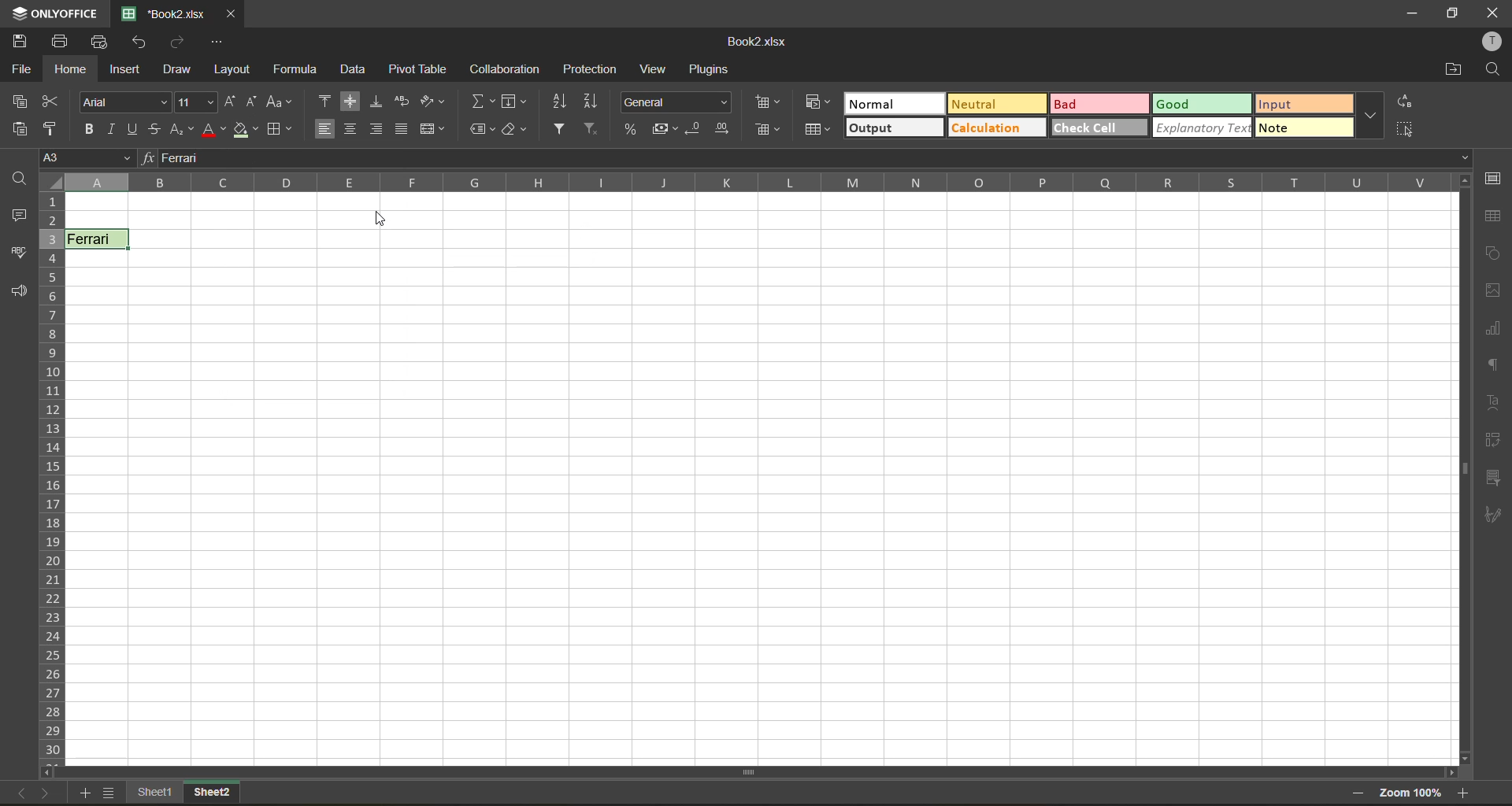  Describe the element at coordinates (156, 129) in the screenshot. I see `strikethrough` at that location.